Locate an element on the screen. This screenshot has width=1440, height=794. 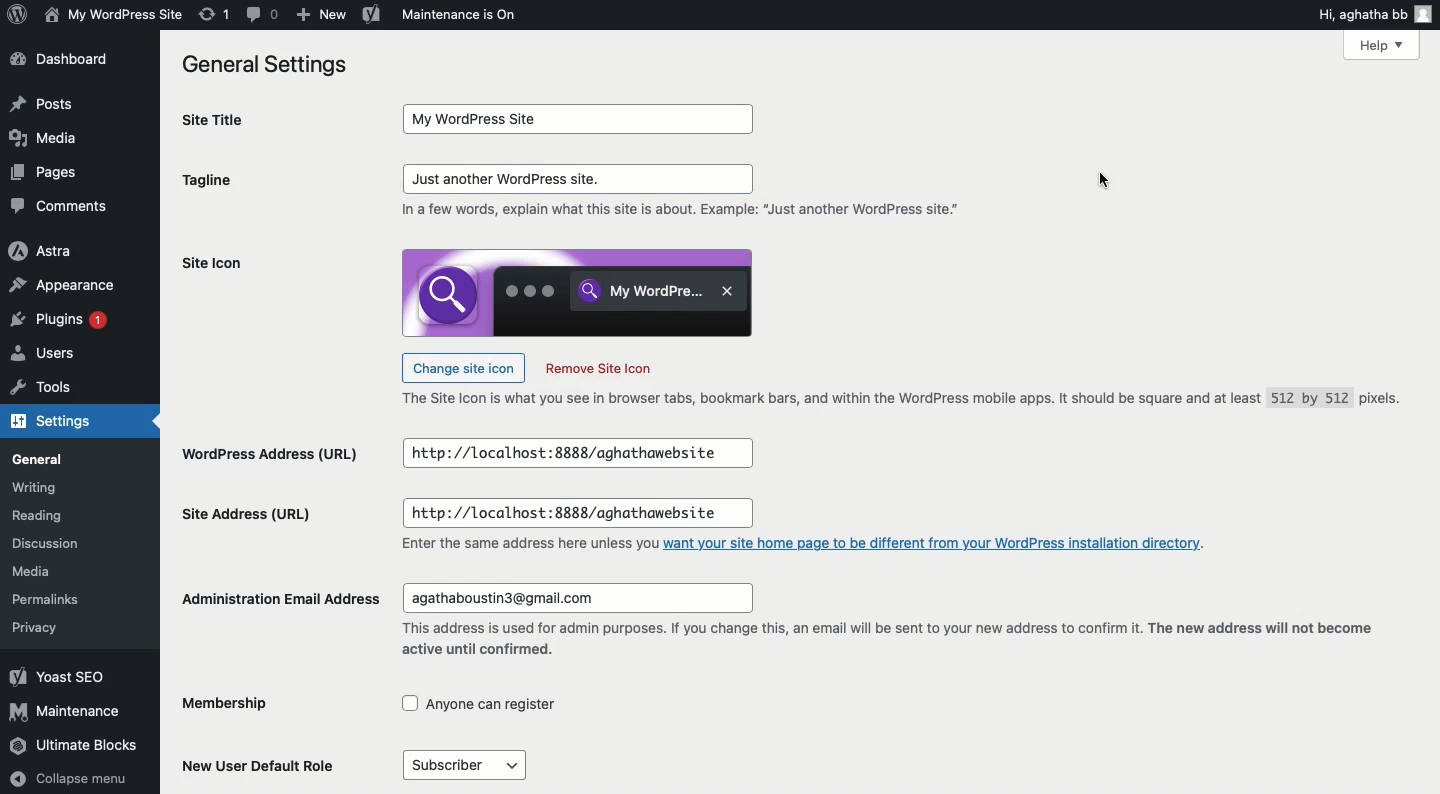
Writing is located at coordinates (35, 487).